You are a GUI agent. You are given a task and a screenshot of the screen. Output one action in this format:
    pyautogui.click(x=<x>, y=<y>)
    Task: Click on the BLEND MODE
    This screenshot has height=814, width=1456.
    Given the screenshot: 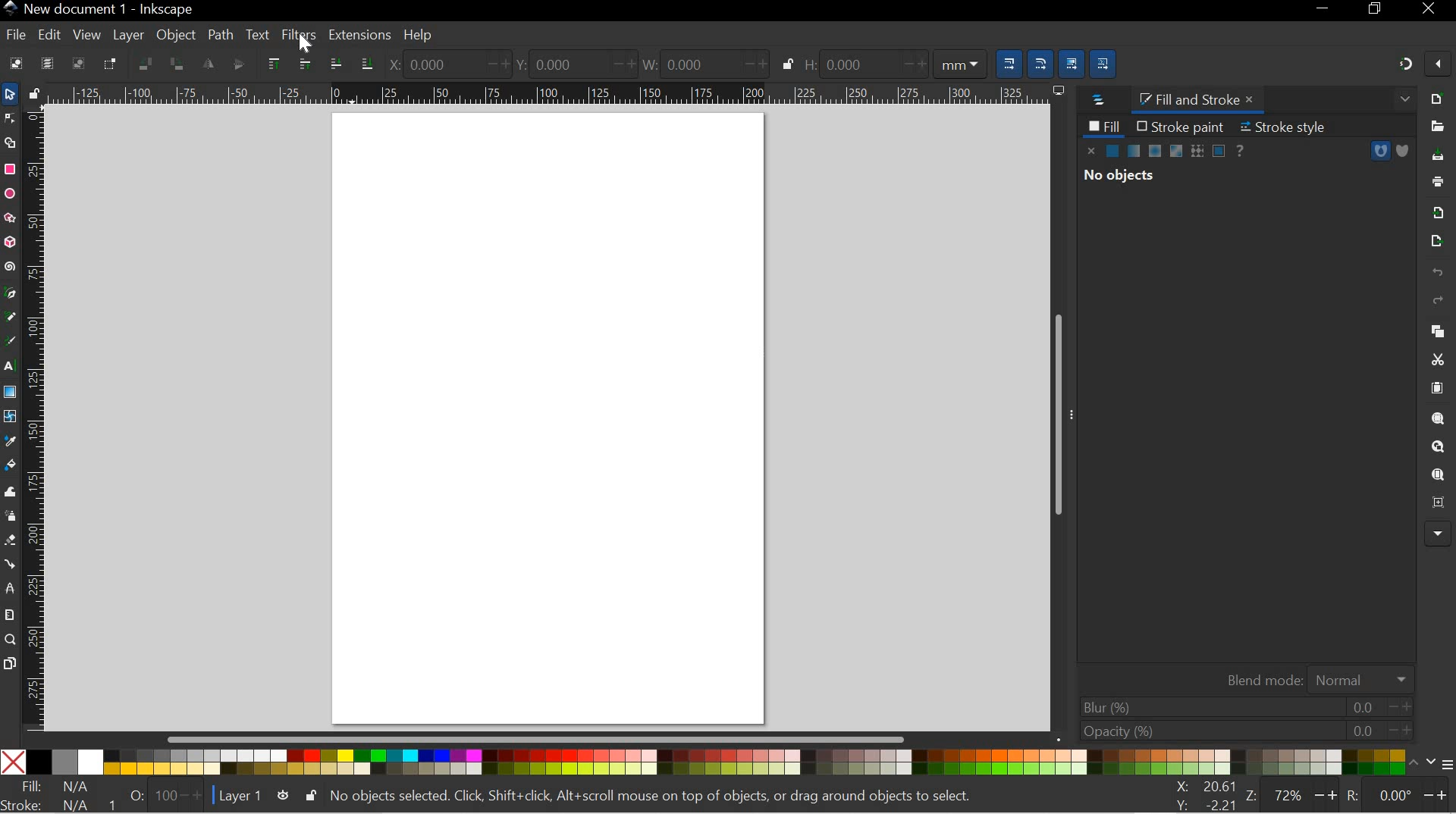 What is the action you would take?
    pyautogui.click(x=1314, y=678)
    